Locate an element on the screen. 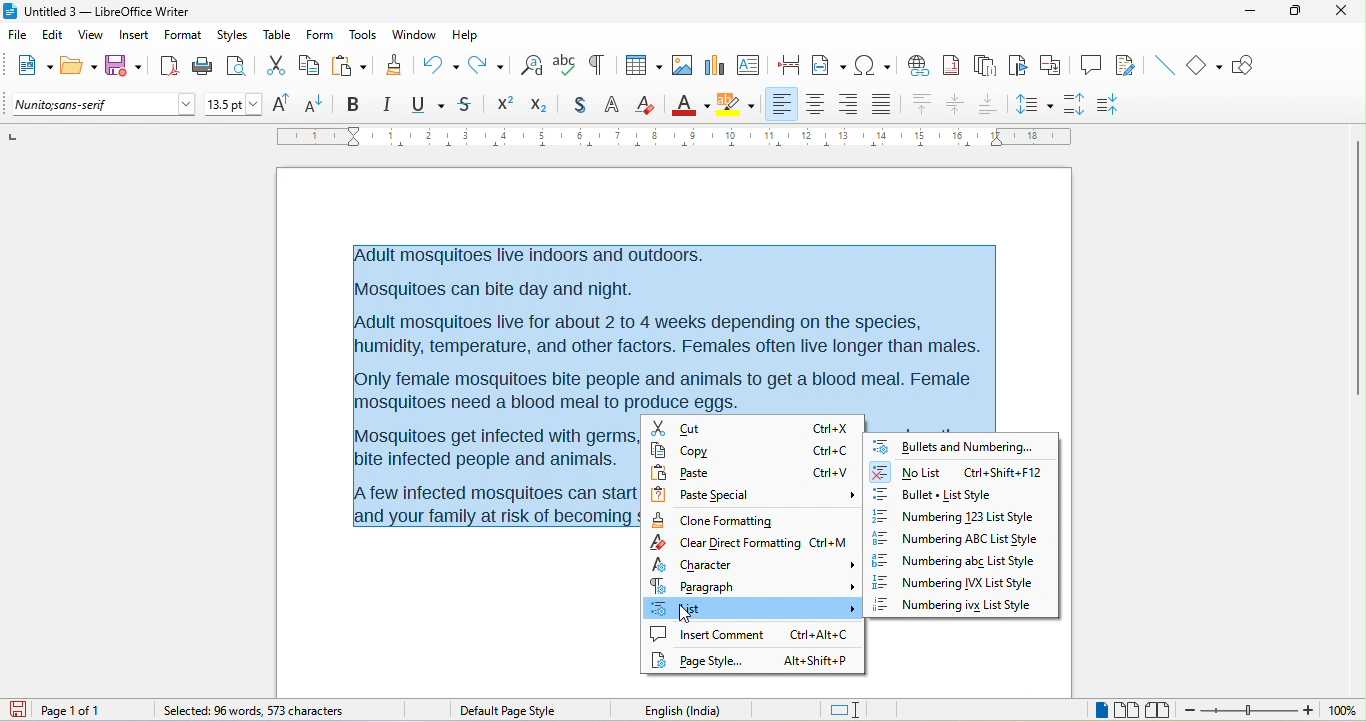 Image resolution: width=1366 pixels, height=722 pixels. shadow is located at coordinates (573, 106).